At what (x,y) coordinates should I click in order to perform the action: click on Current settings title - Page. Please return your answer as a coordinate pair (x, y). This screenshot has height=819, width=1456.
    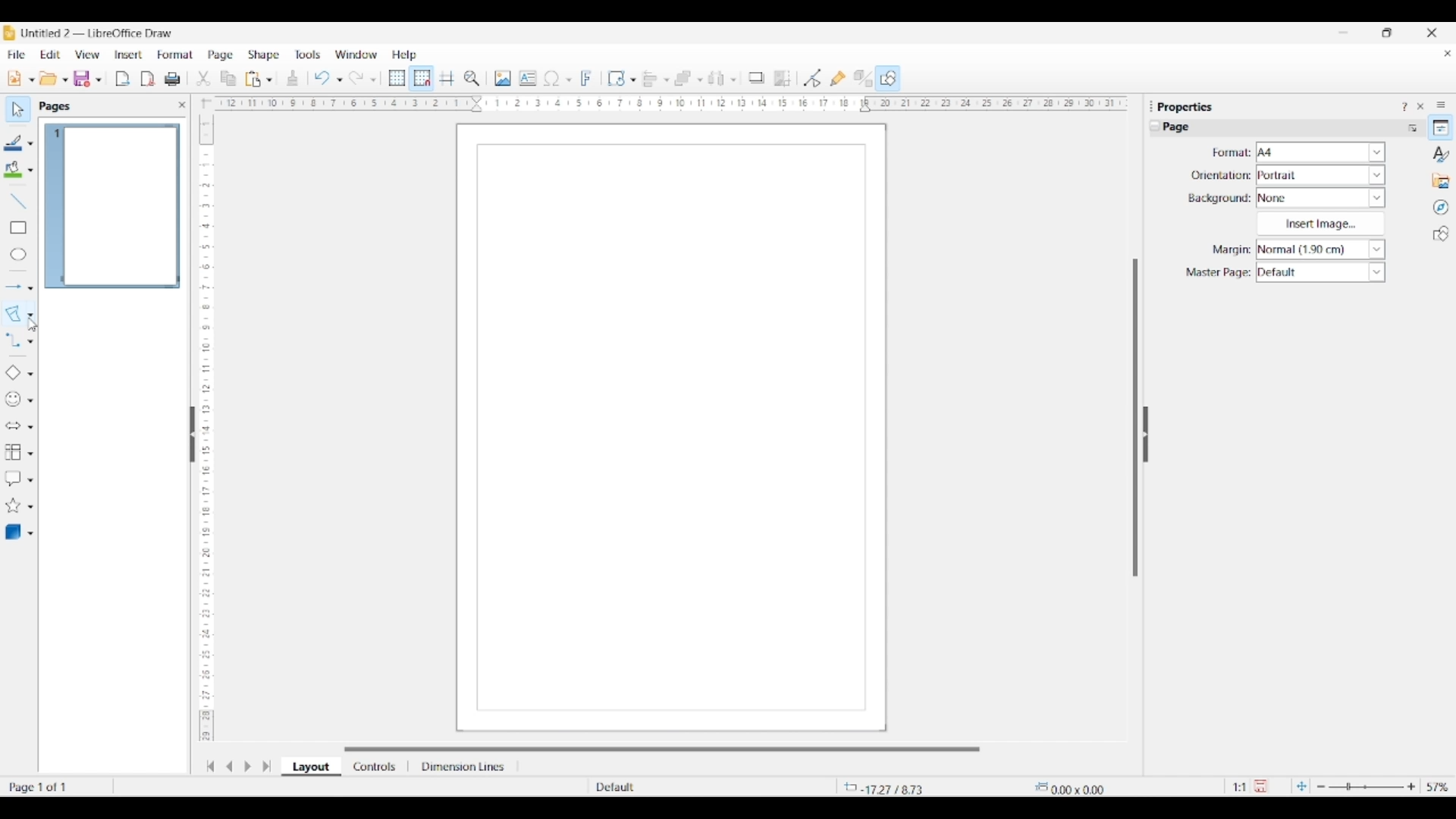
    Looking at the image, I should click on (1185, 128).